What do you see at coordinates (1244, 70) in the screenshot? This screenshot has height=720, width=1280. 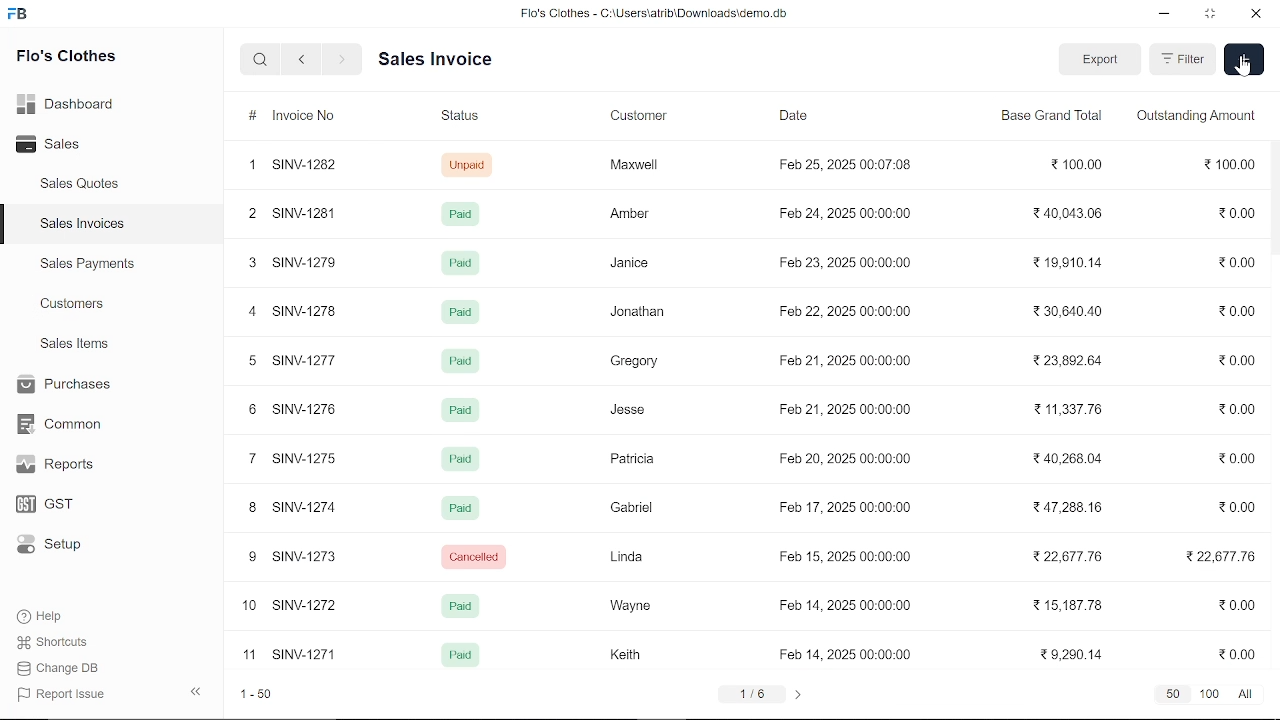 I see `cursor` at bounding box center [1244, 70].